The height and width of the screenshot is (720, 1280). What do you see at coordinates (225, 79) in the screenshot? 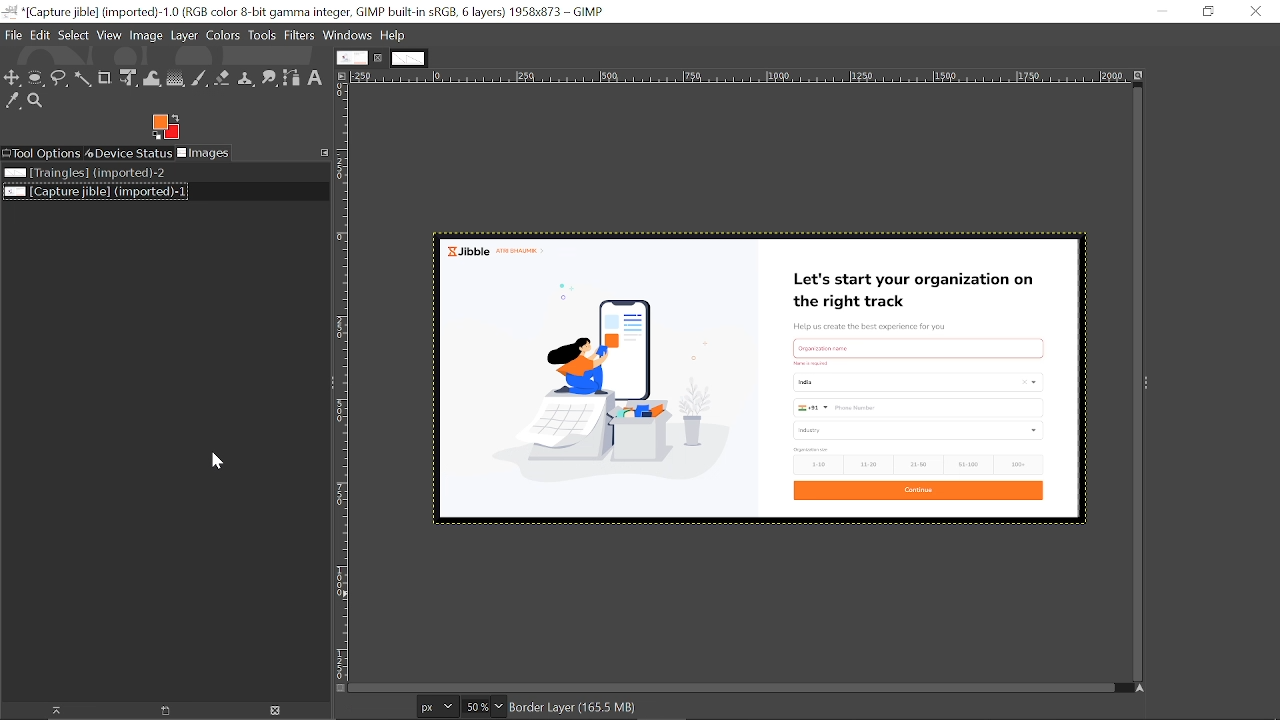
I see `Eraser tool` at bounding box center [225, 79].